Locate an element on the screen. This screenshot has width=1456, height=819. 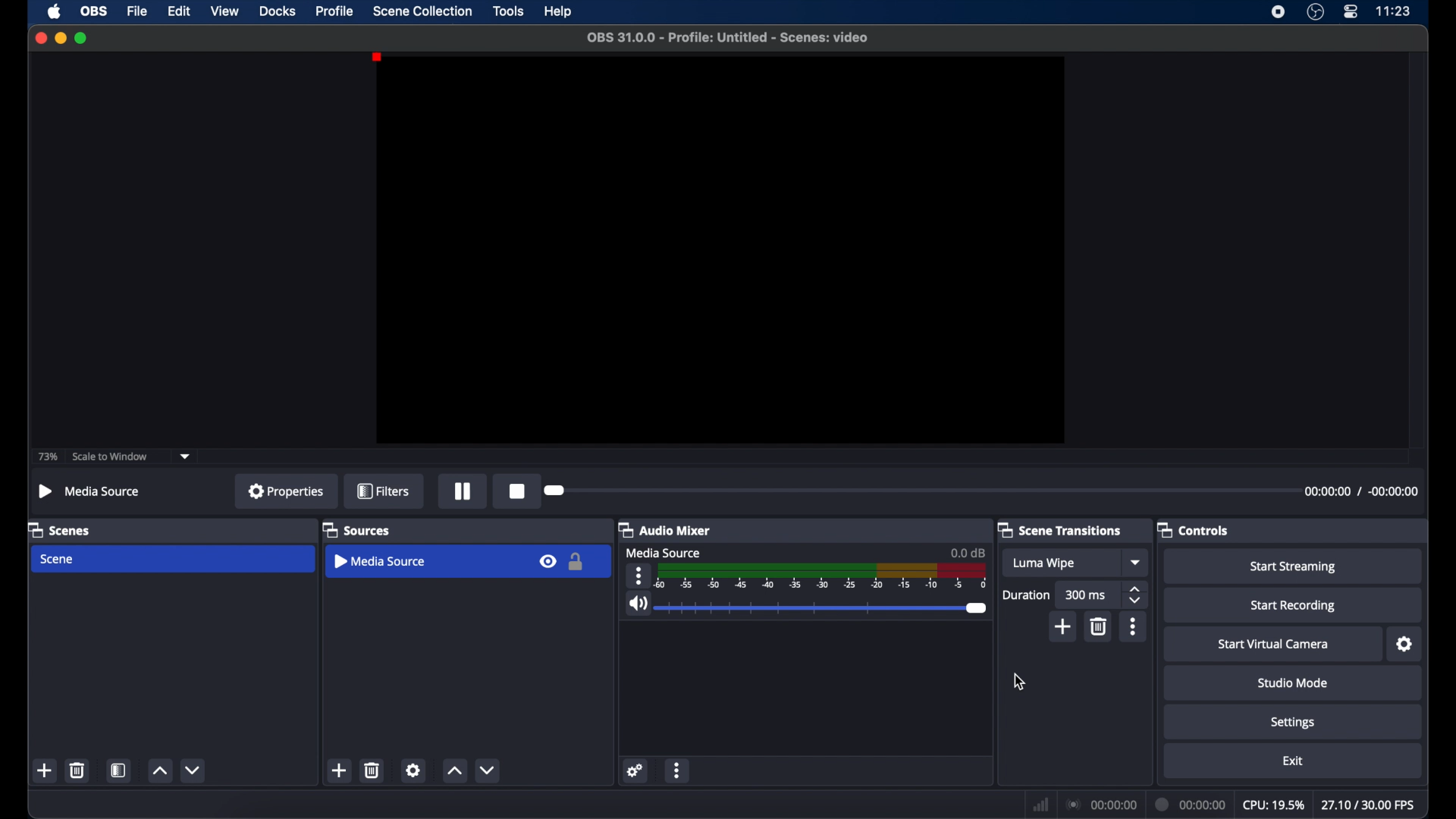
delete is located at coordinates (77, 770).